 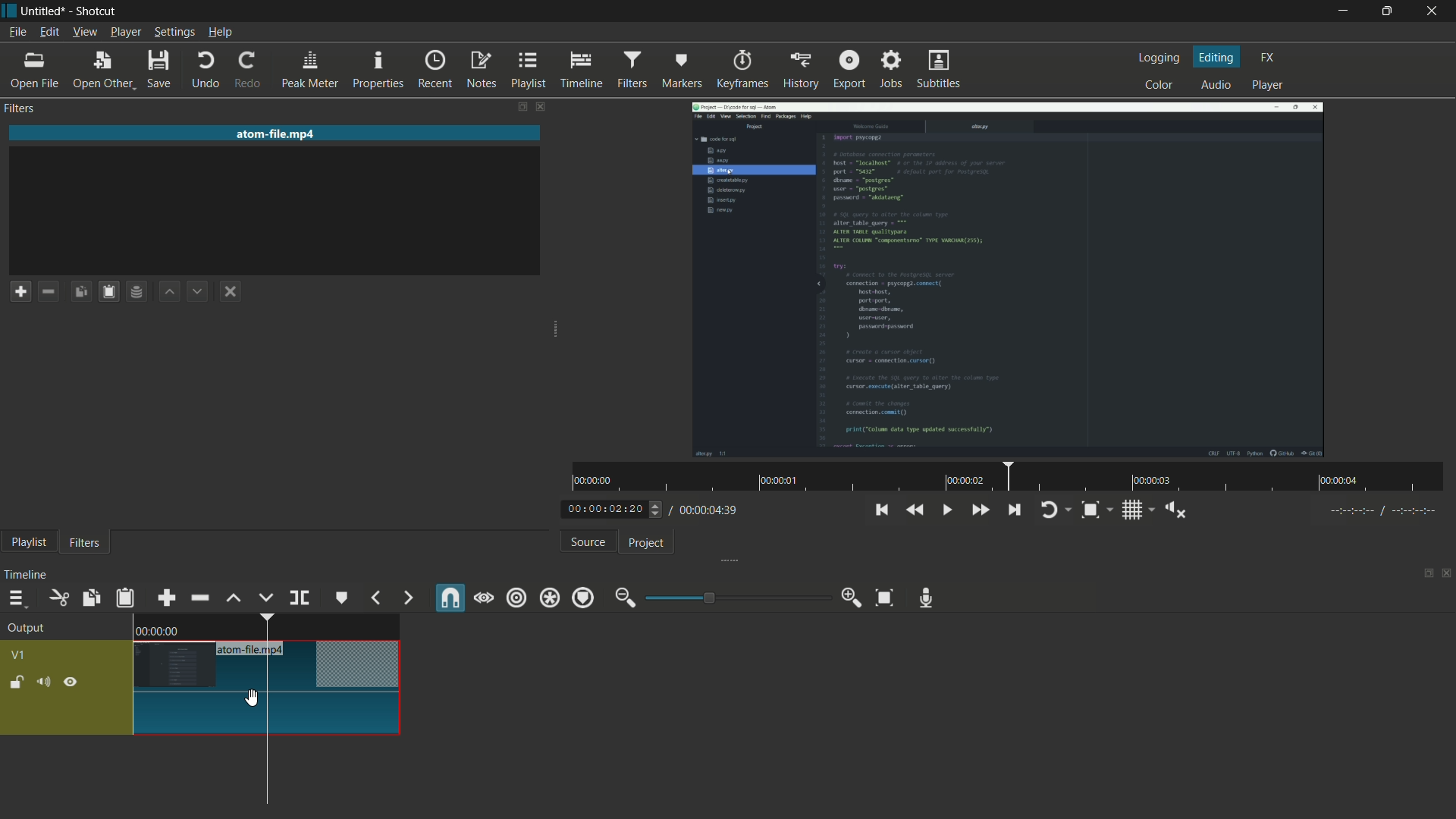 I want to click on toggle player looping, so click(x=1050, y=510).